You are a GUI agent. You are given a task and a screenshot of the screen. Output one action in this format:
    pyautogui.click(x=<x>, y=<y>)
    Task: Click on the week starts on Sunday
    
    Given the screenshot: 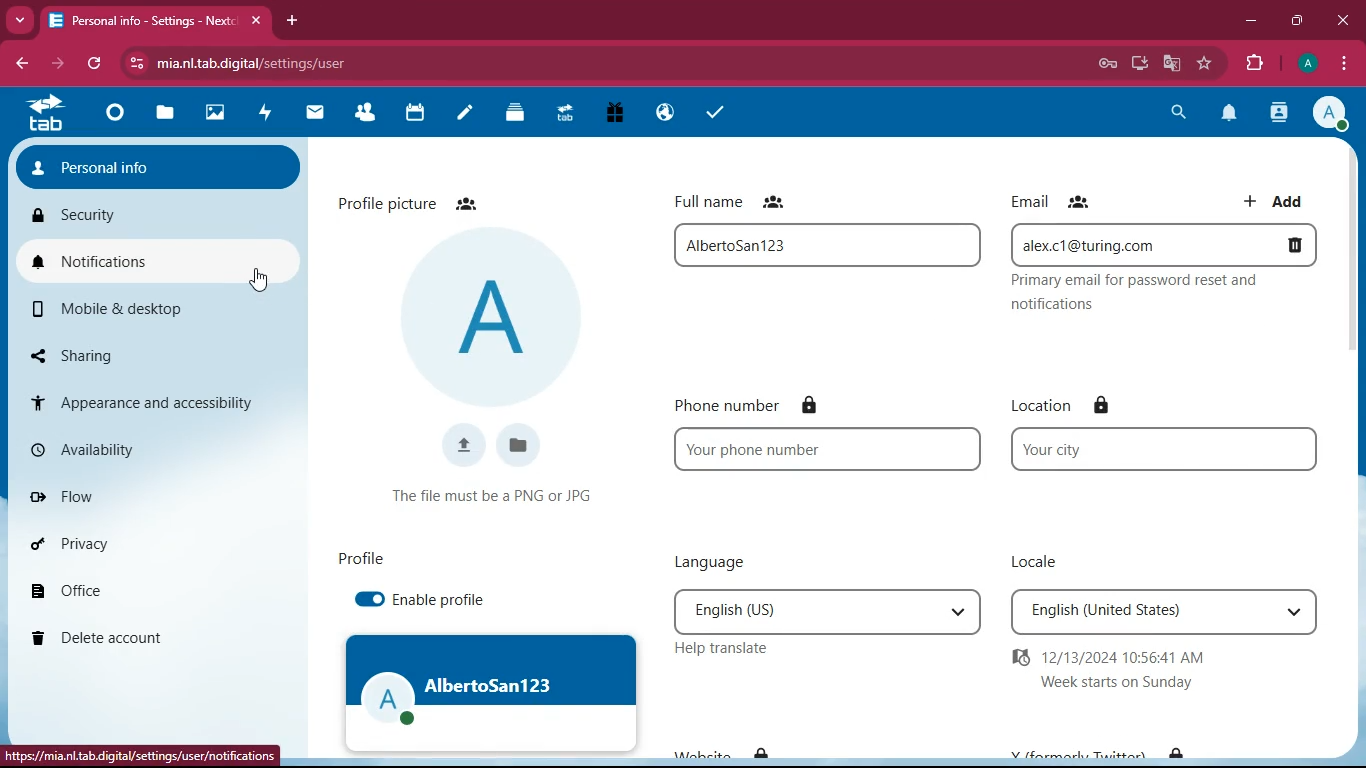 What is the action you would take?
    pyautogui.click(x=1118, y=682)
    